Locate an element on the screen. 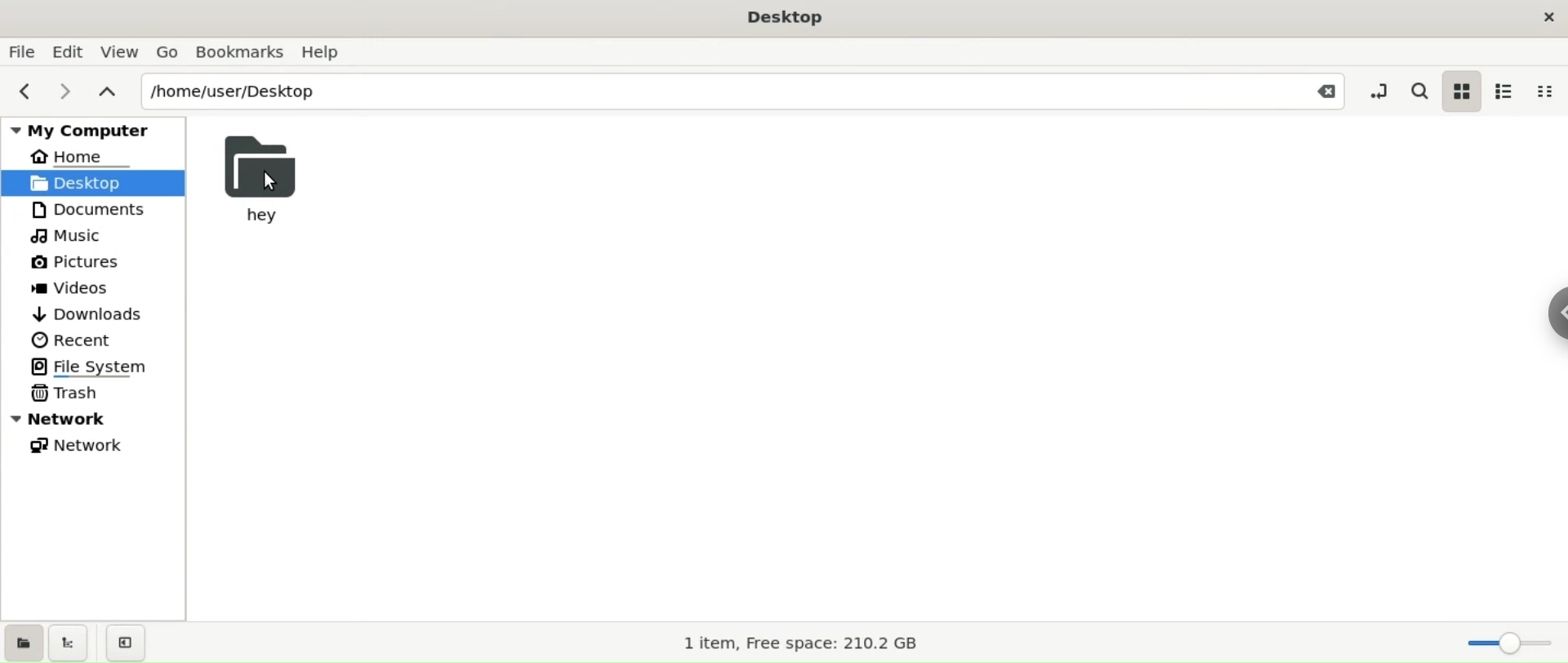 This screenshot has height=663, width=1568. File System is located at coordinates (96, 366).